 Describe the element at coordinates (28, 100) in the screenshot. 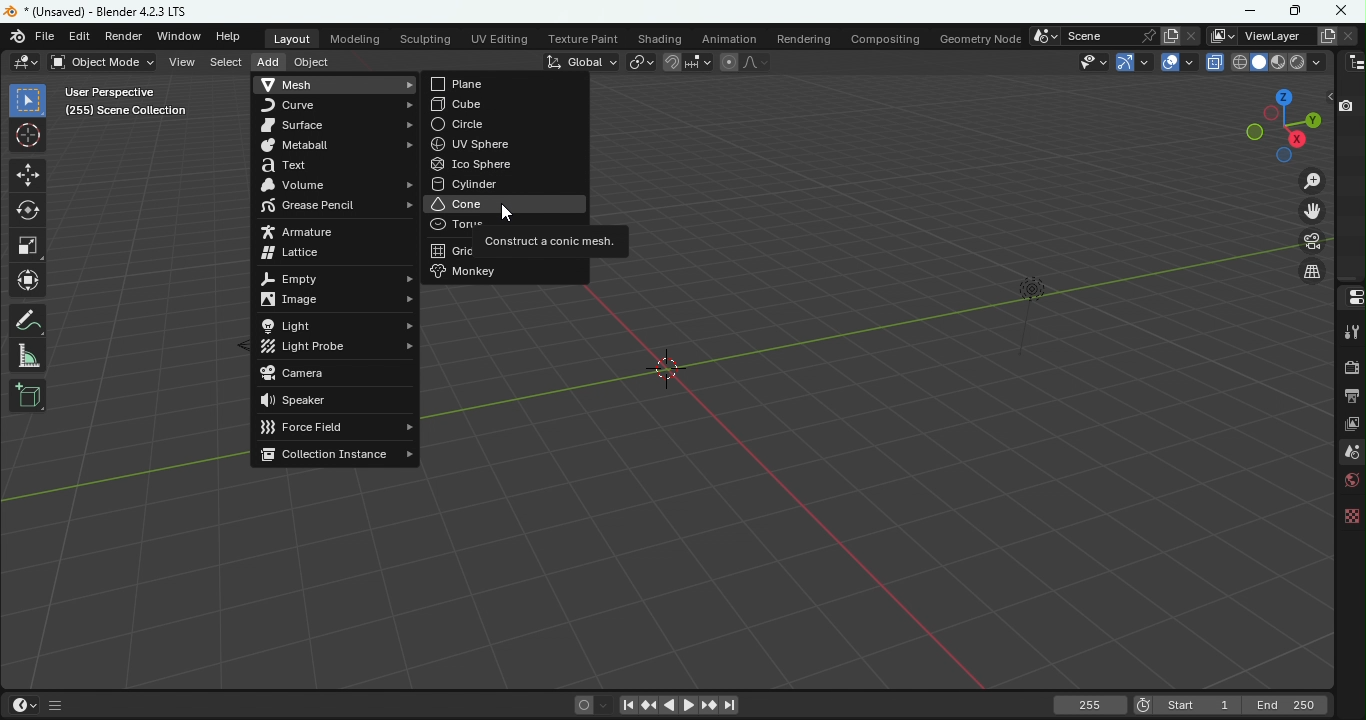

I see `Select box` at that location.